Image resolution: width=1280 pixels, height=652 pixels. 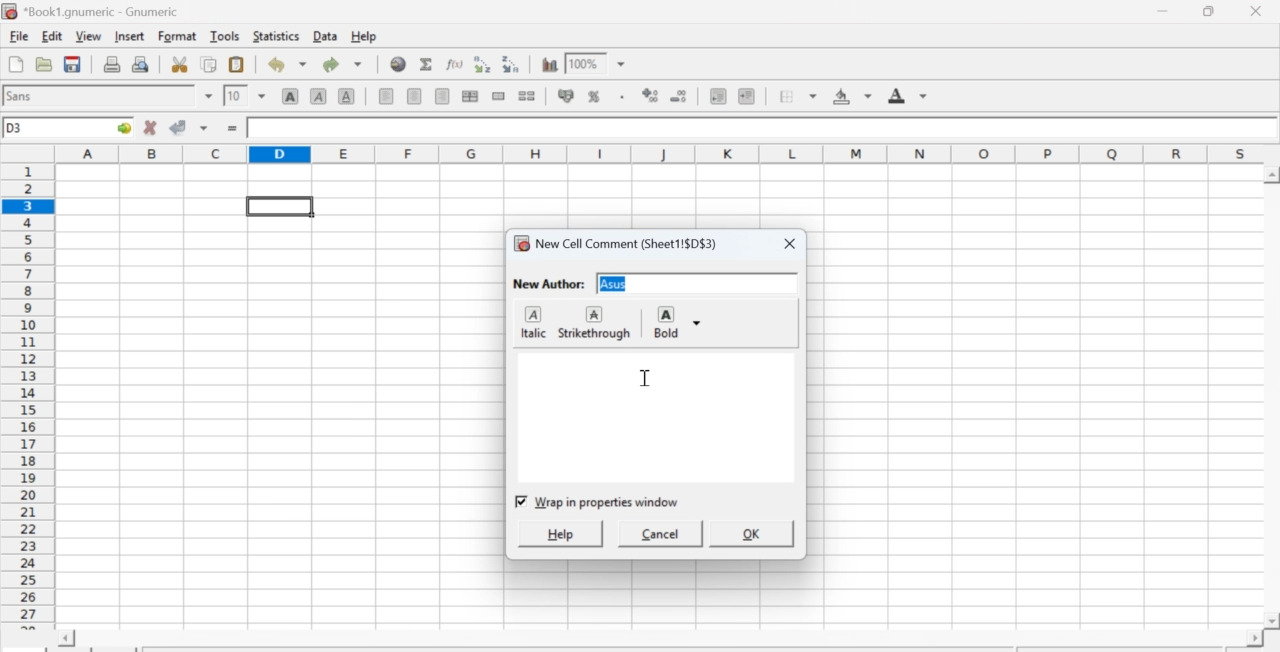 I want to click on cancel, so click(x=658, y=533).